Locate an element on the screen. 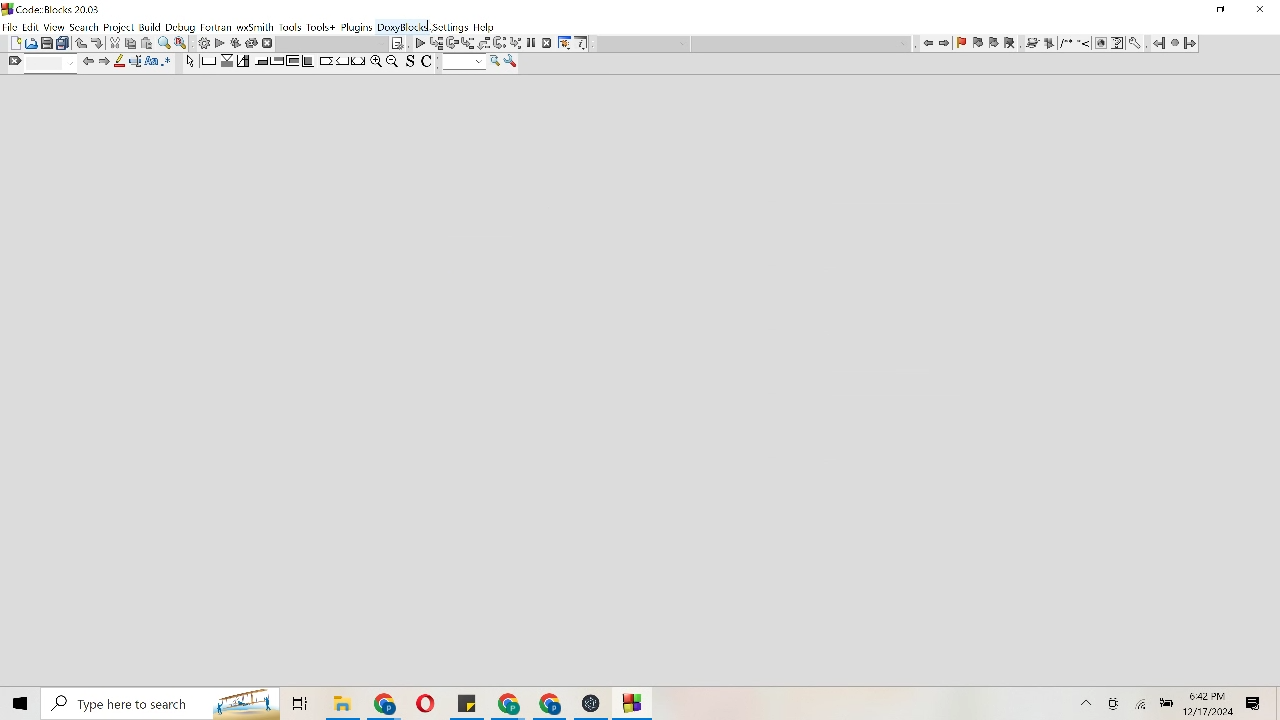 The image size is (1280, 720). Document is located at coordinates (13, 42).